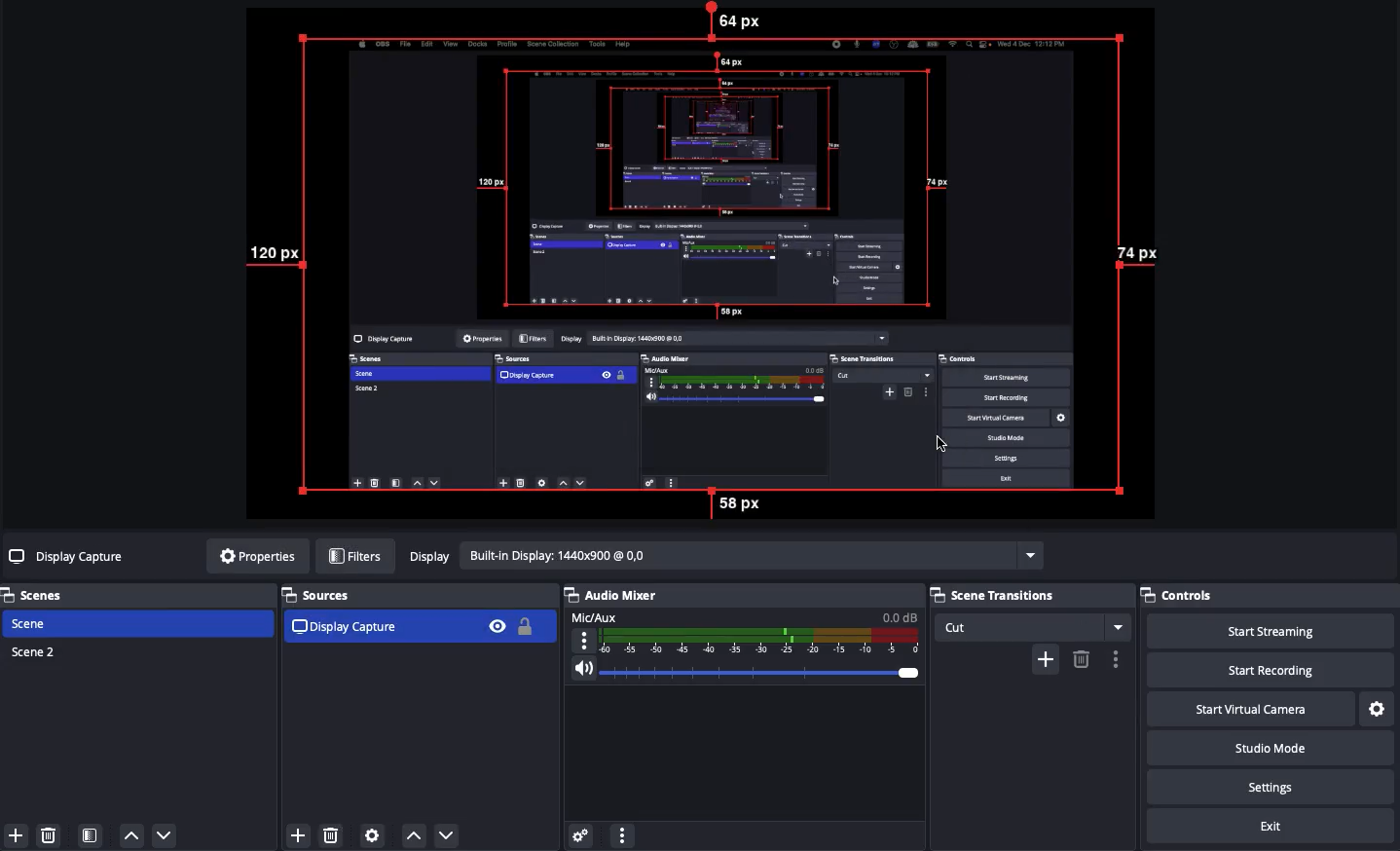  What do you see at coordinates (748, 503) in the screenshot?
I see `58 px` at bounding box center [748, 503].